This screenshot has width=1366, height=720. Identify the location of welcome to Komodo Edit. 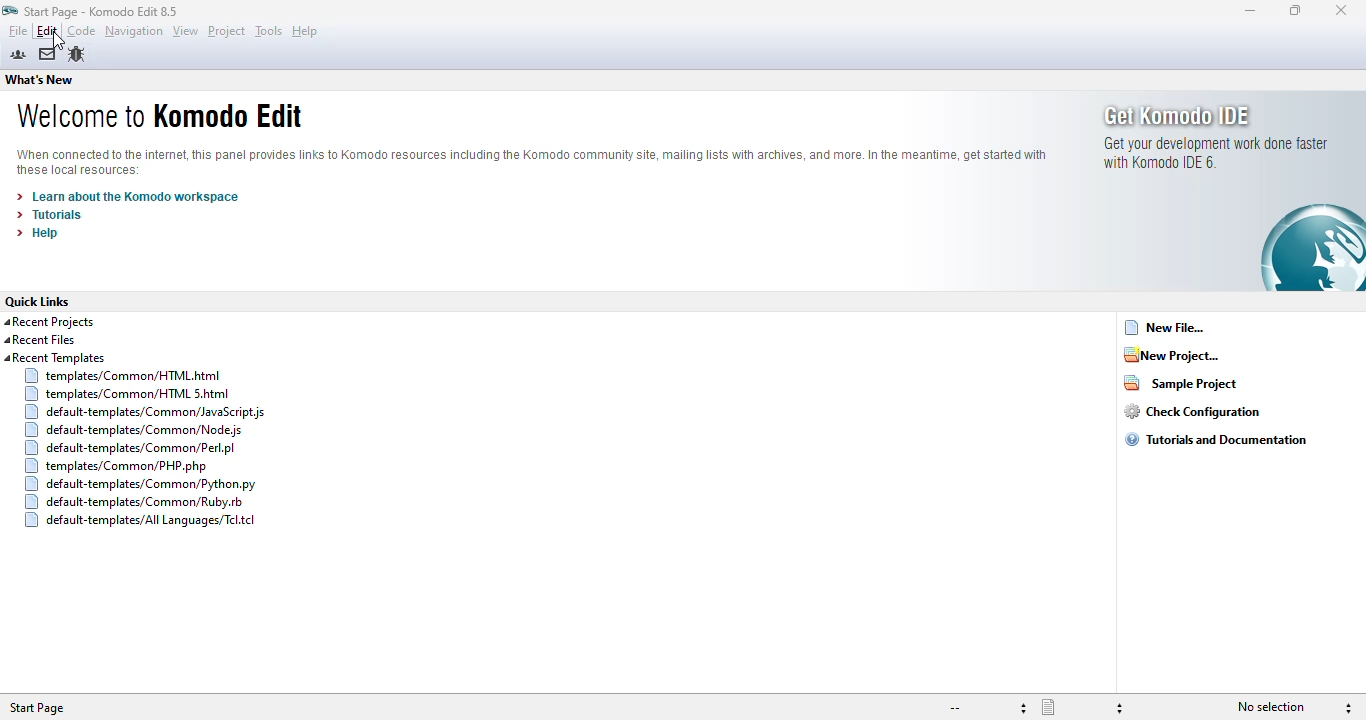
(160, 114).